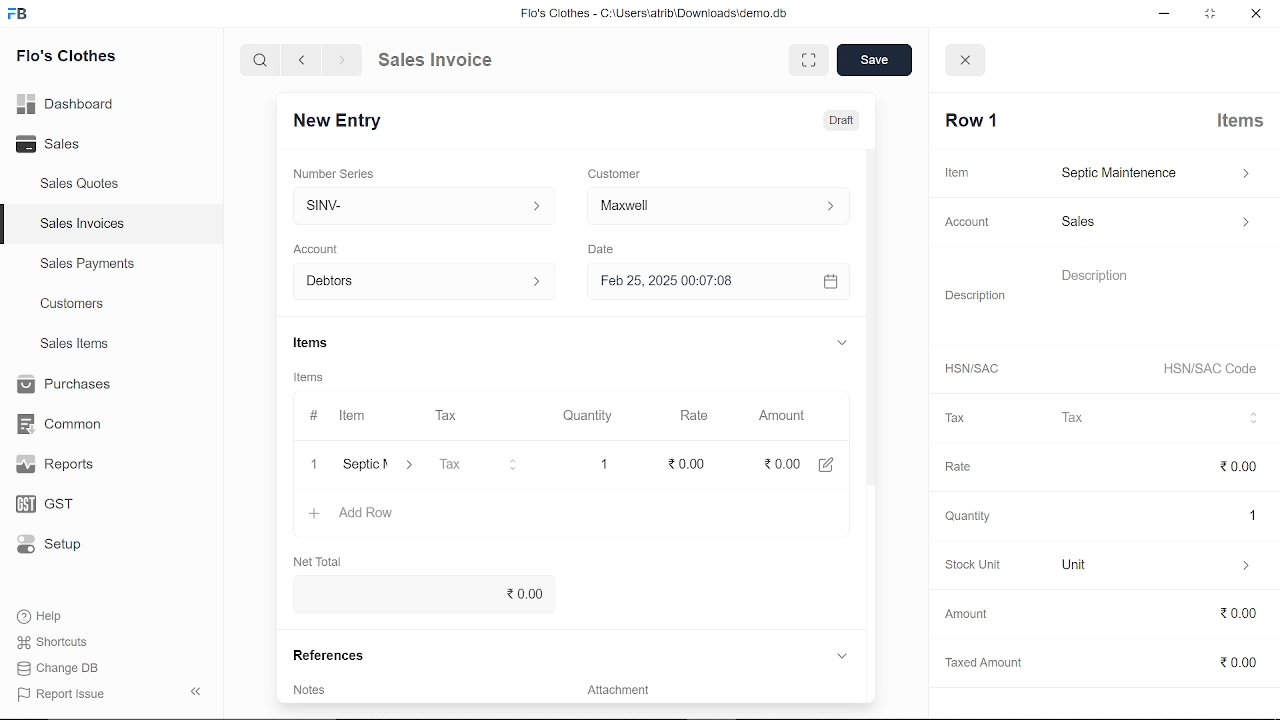  Describe the element at coordinates (1161, 418) in the screenshot. I see `Tax` at that location.